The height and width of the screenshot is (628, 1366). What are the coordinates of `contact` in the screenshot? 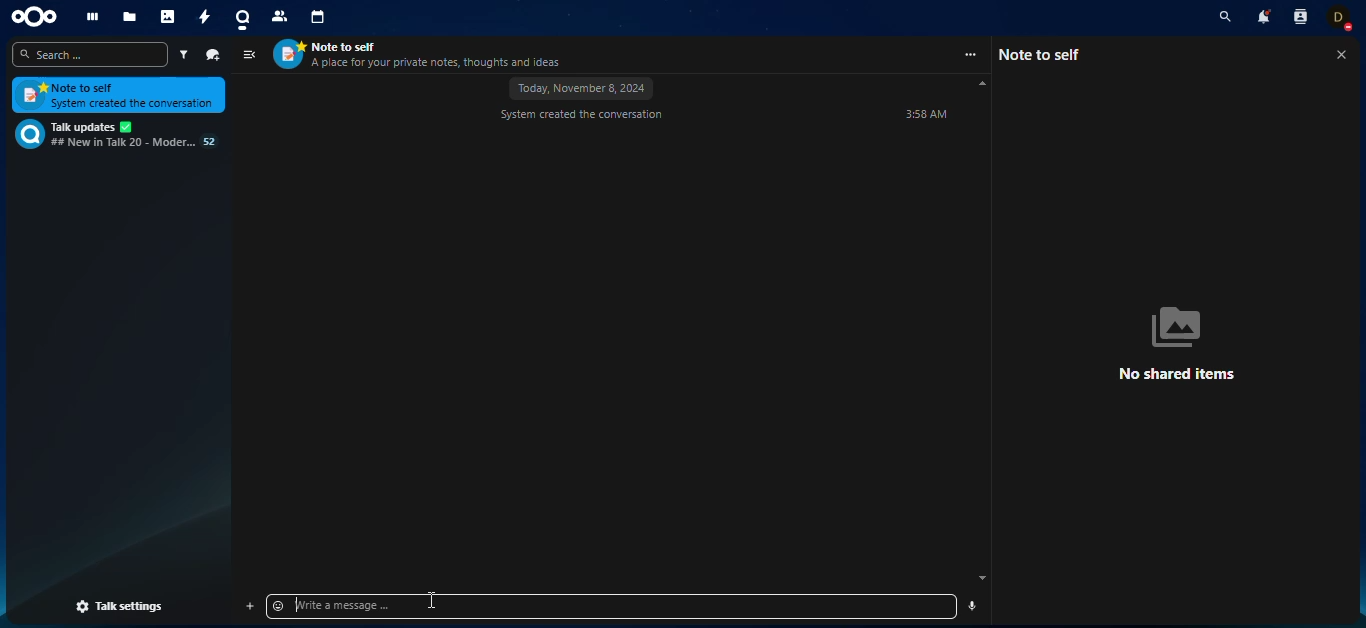 It's located at (424, 53).